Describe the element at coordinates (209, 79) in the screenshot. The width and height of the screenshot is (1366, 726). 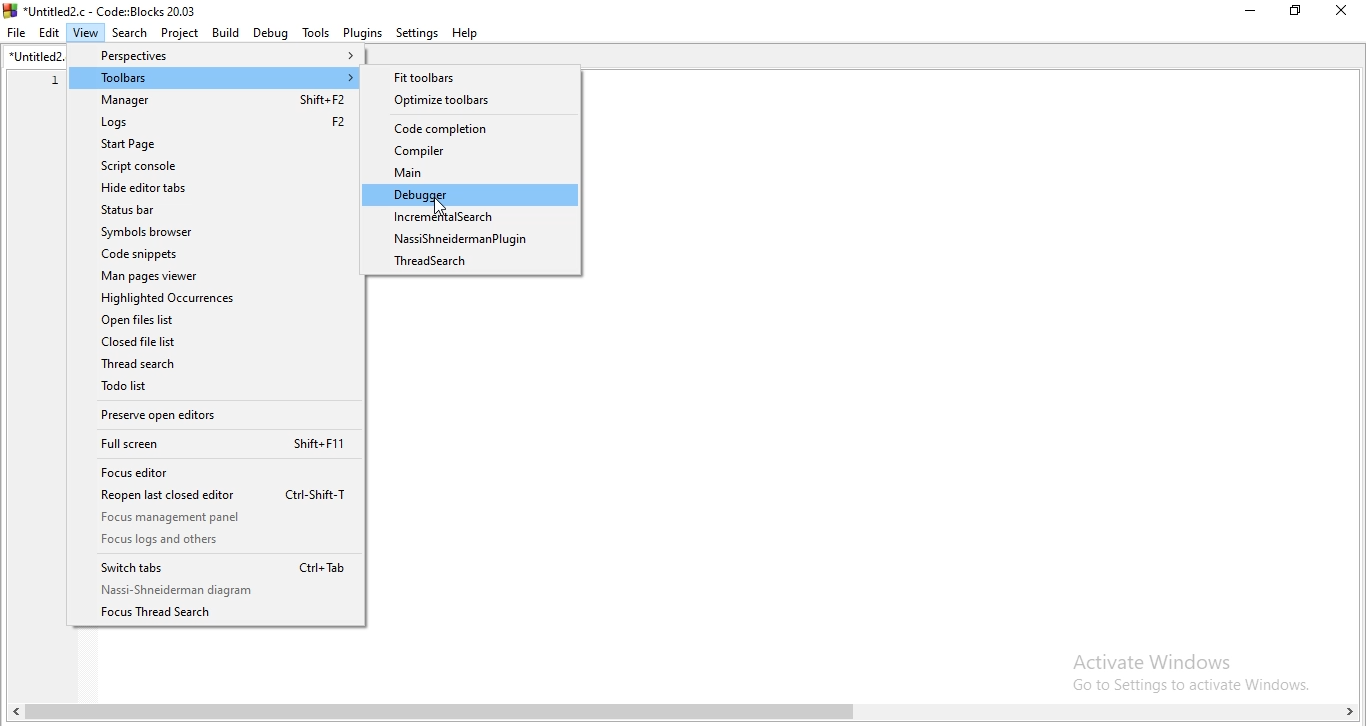
I see `Toolbars` at that location.